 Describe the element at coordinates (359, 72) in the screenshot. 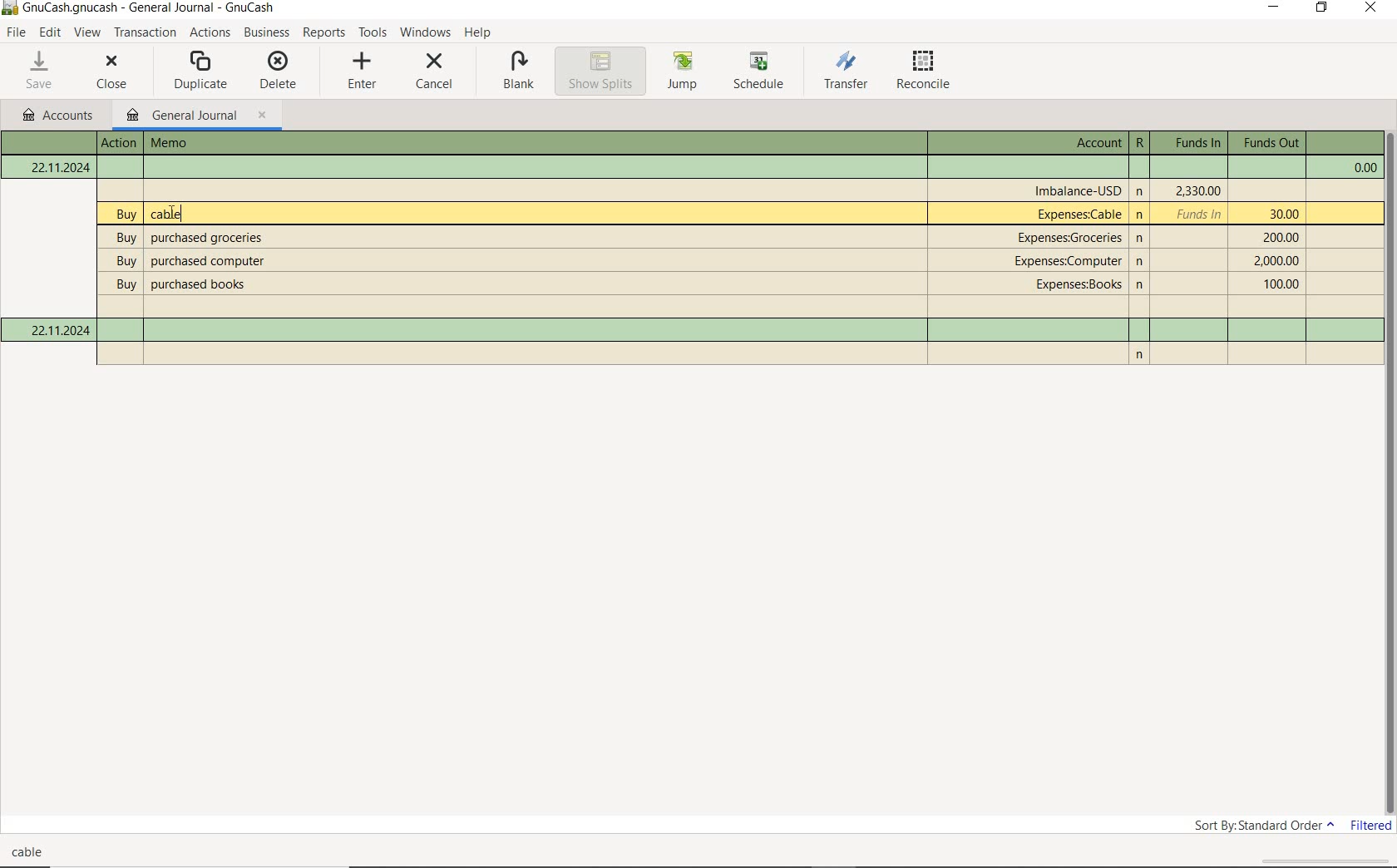

I see `enter` at that location.